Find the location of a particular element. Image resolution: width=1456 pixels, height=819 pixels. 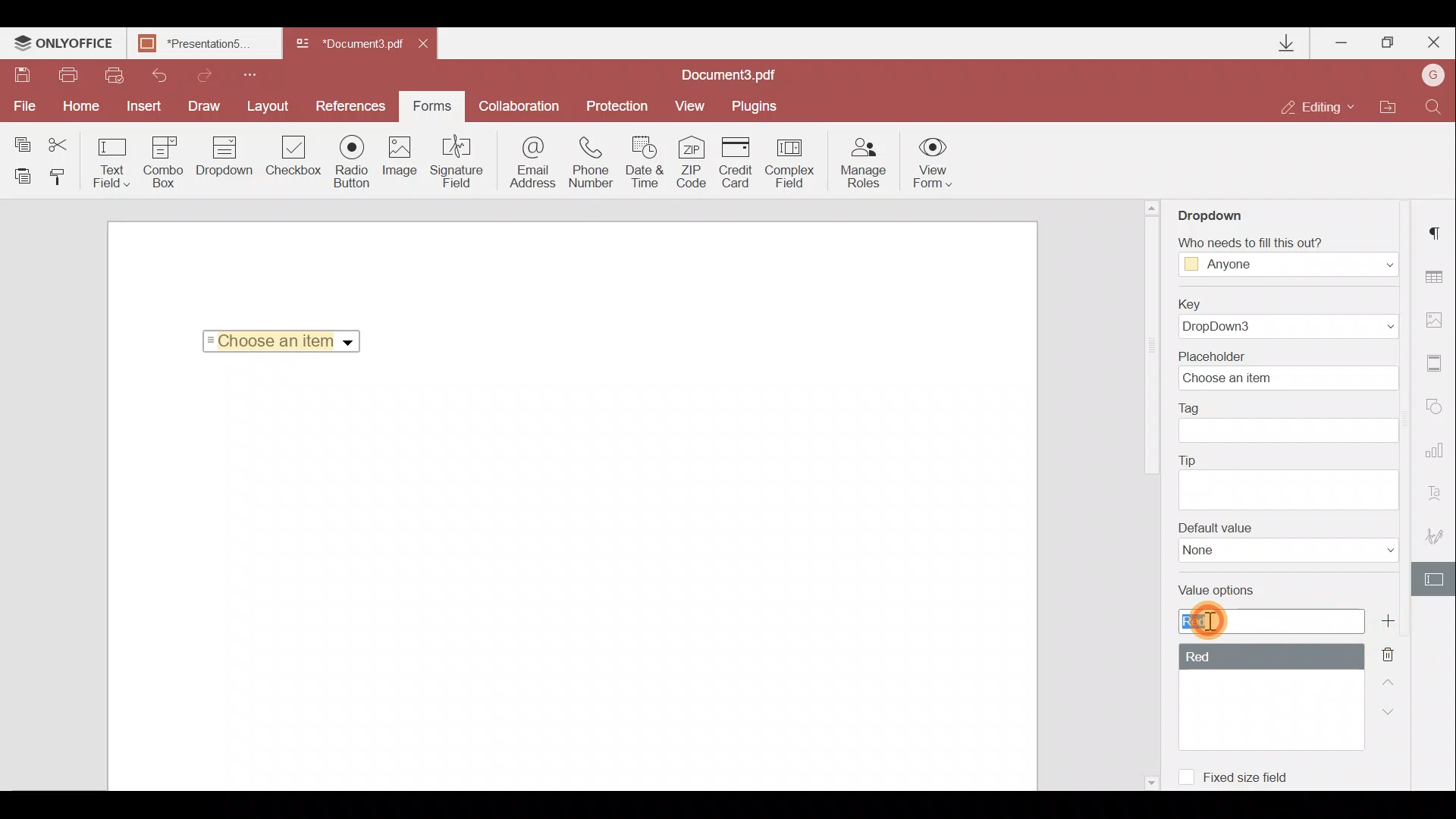

Selected Item is located at coordinates (277, 340).